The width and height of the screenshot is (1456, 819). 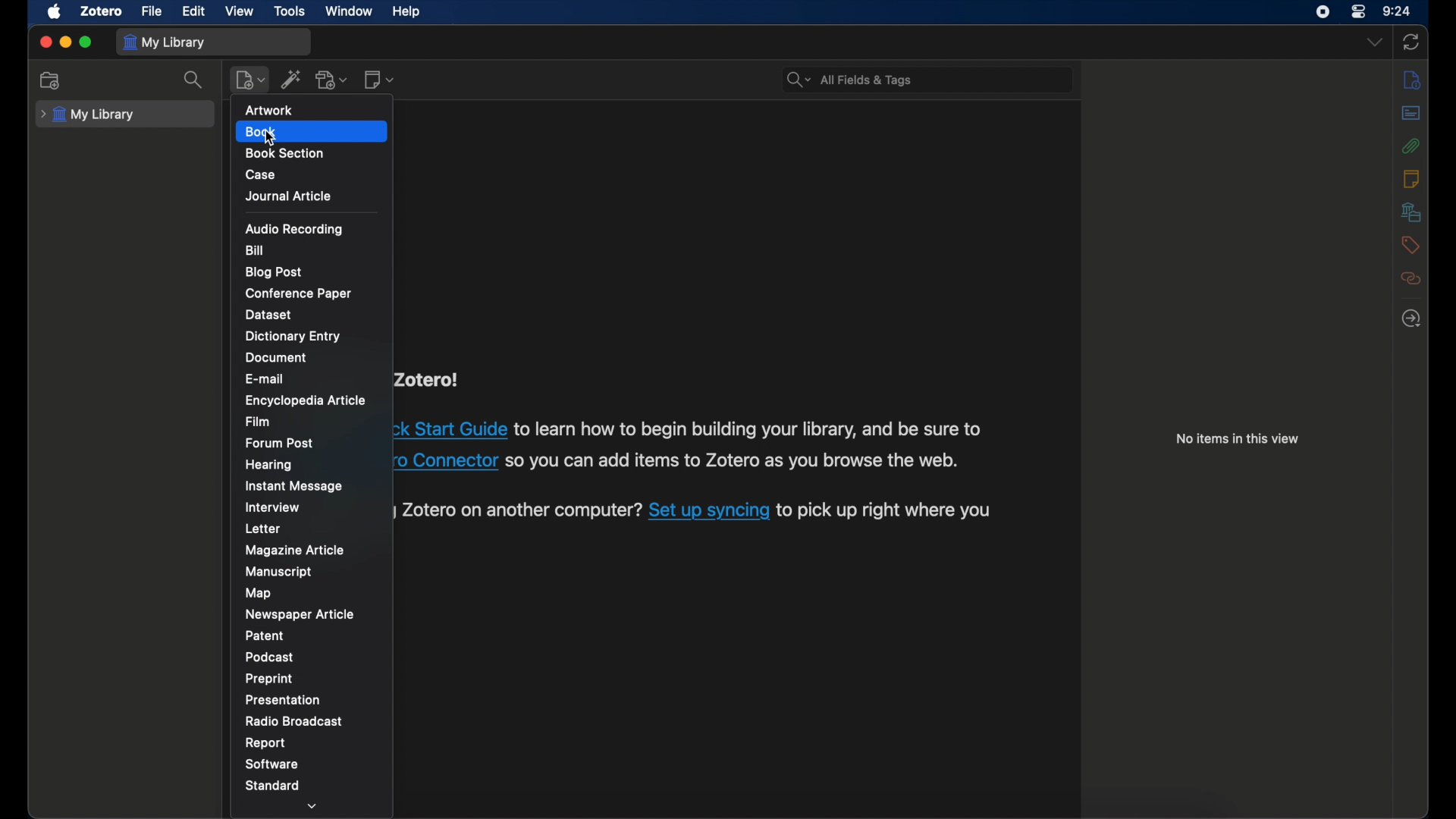 I want to click on edit, so click(x=194, y=11).